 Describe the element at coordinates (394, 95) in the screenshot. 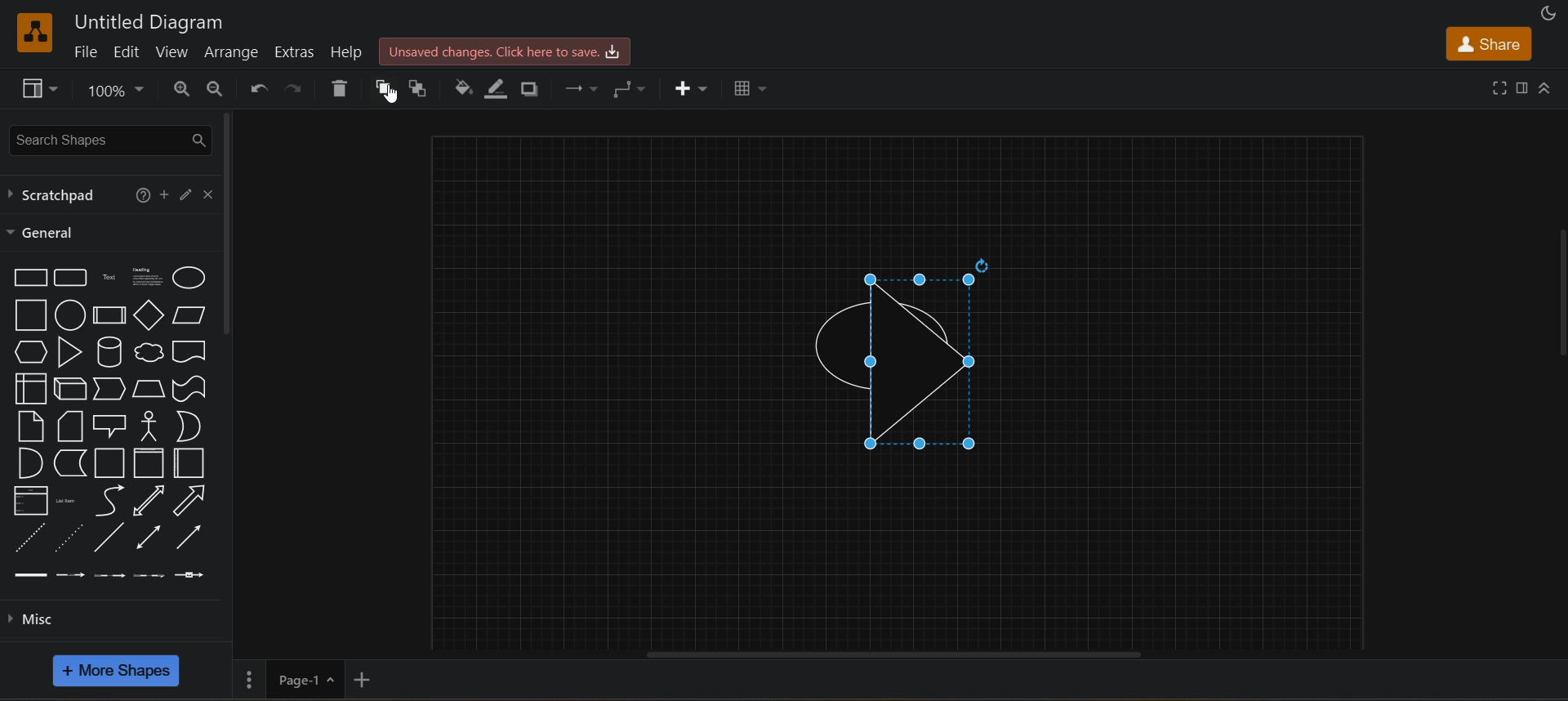

I see `cursor` at that location.